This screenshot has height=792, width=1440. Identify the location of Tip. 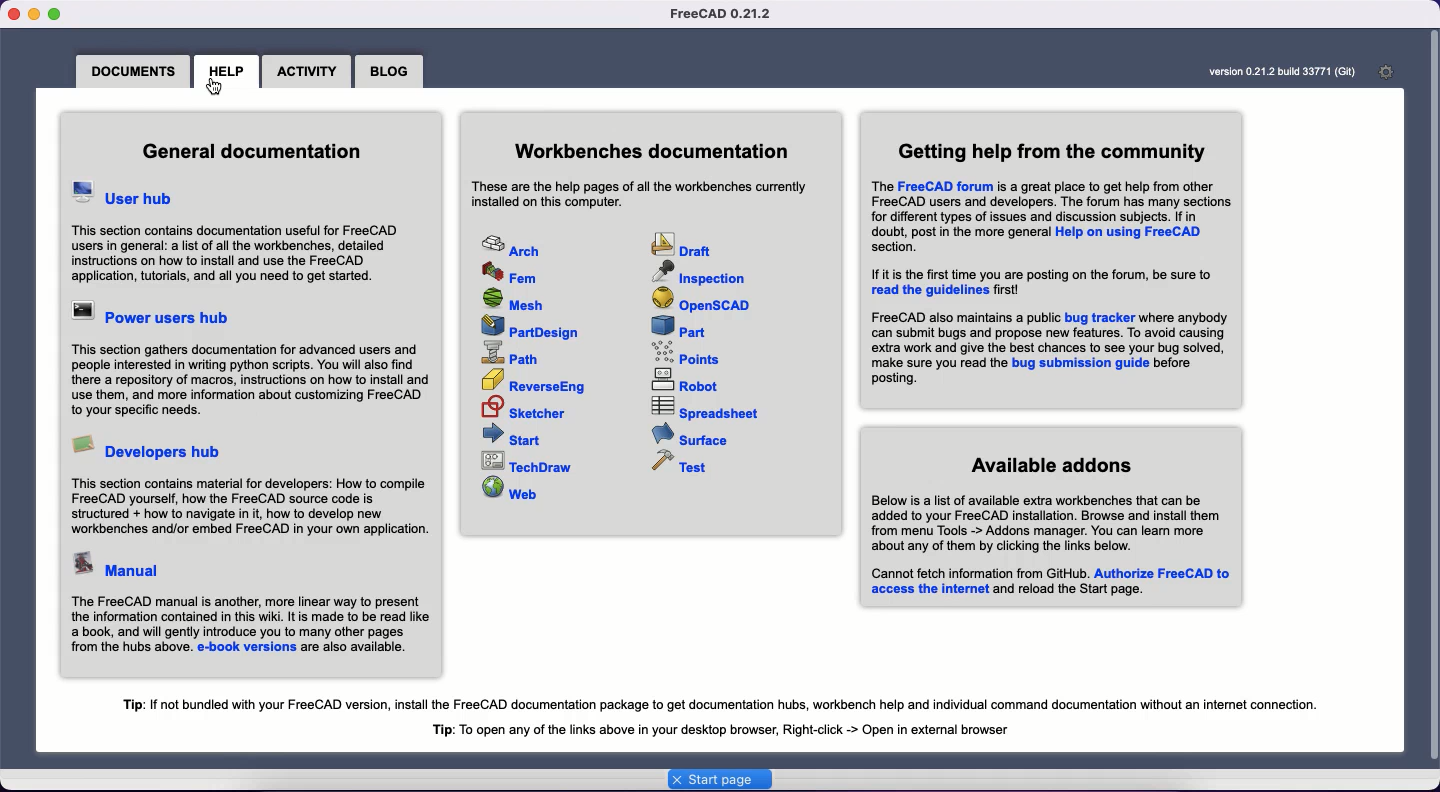
(719, 729).